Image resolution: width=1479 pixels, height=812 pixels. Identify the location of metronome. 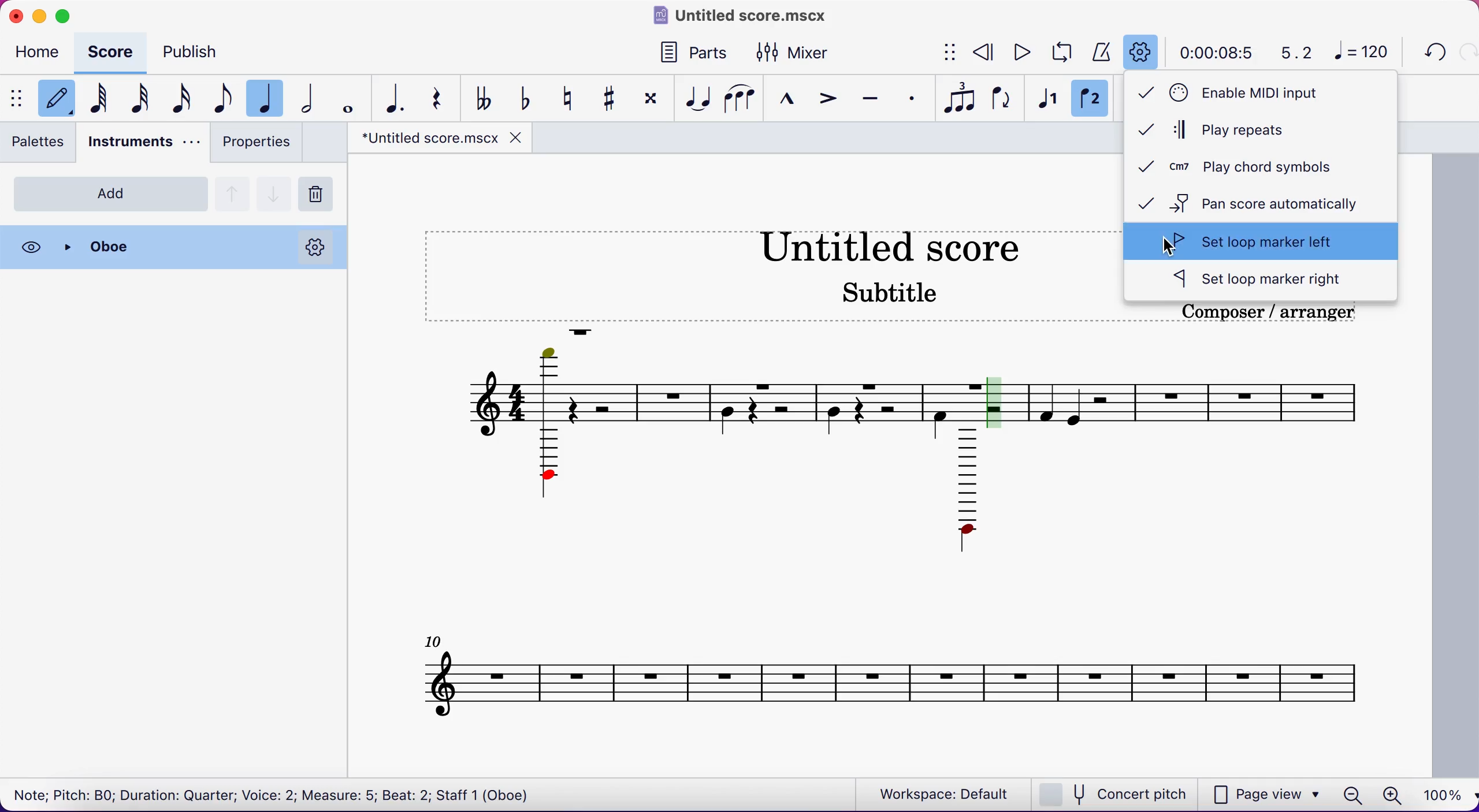
(1102, 51).